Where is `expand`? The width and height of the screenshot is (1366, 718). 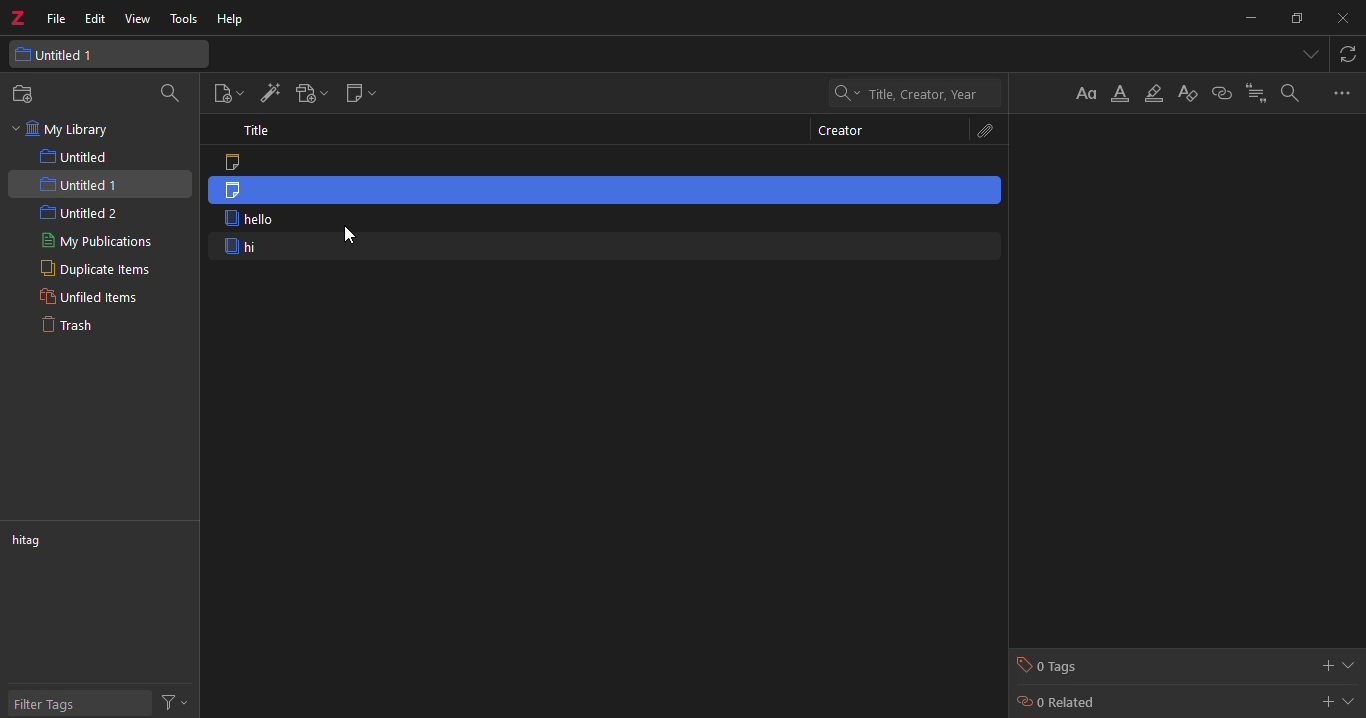 expand is located at coordinates (1352, 665).